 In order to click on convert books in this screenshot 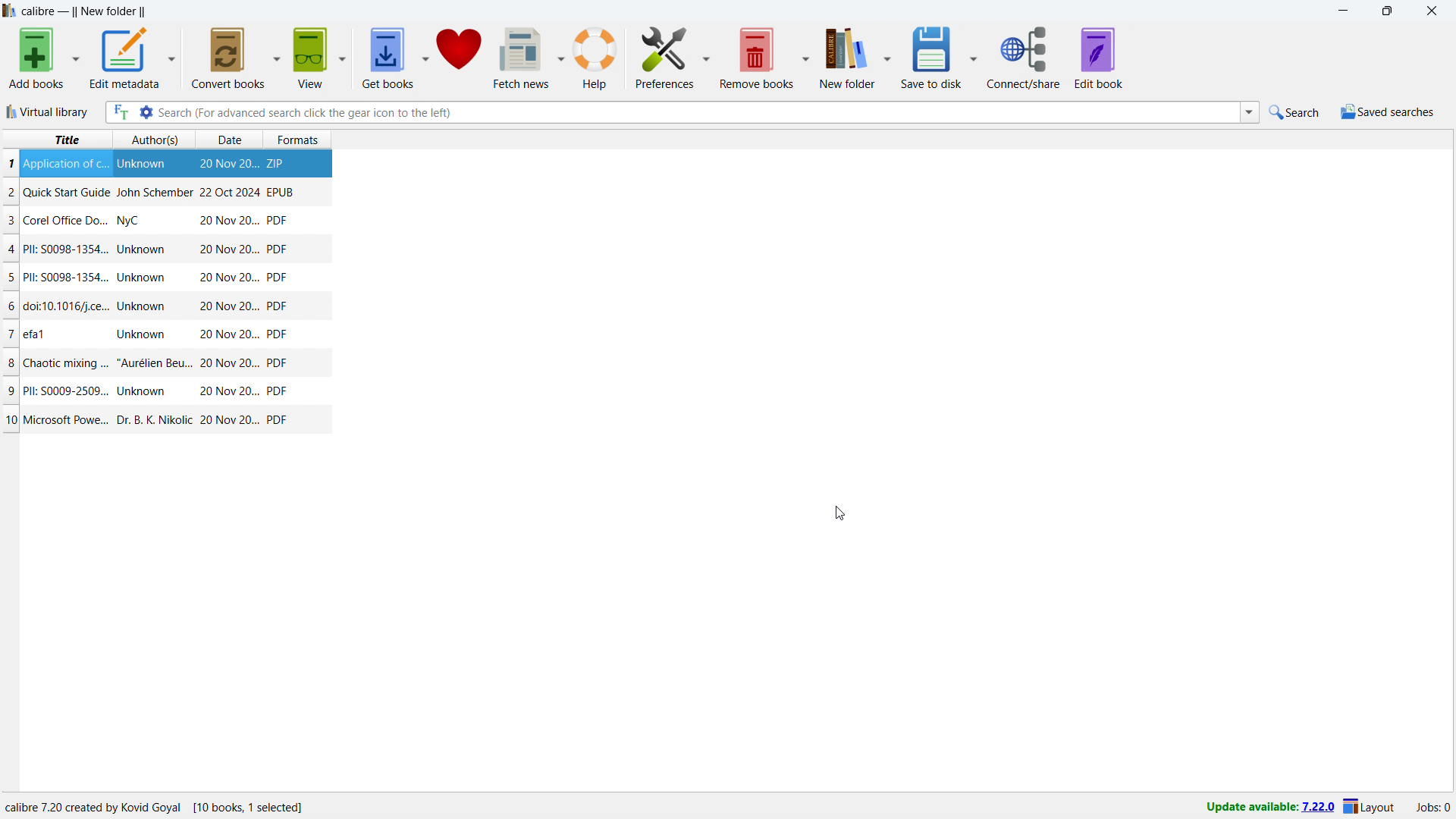, I will do `click(229, 57)`.